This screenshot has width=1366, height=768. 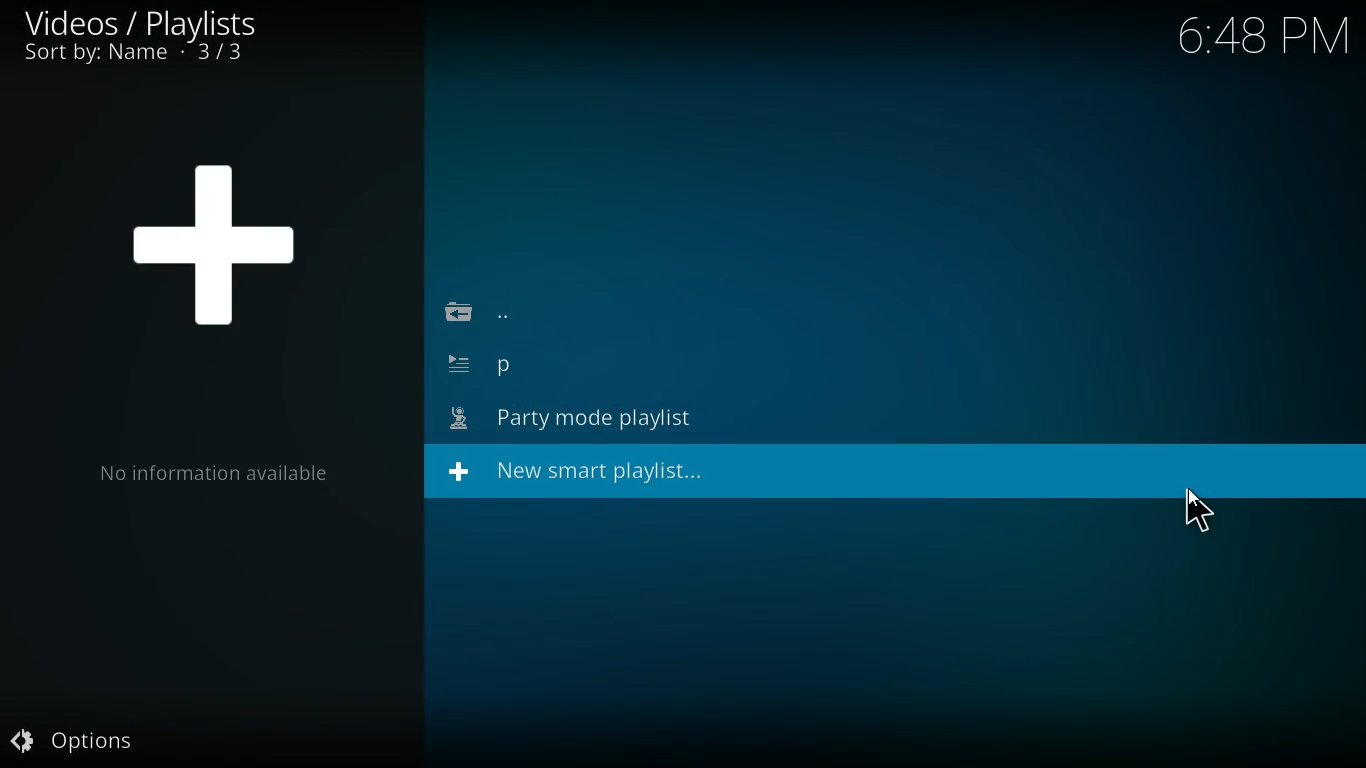 What do you see at coordinates (595, 371) in the screenshot?
I see `new file` at bounding box center [595, 371].